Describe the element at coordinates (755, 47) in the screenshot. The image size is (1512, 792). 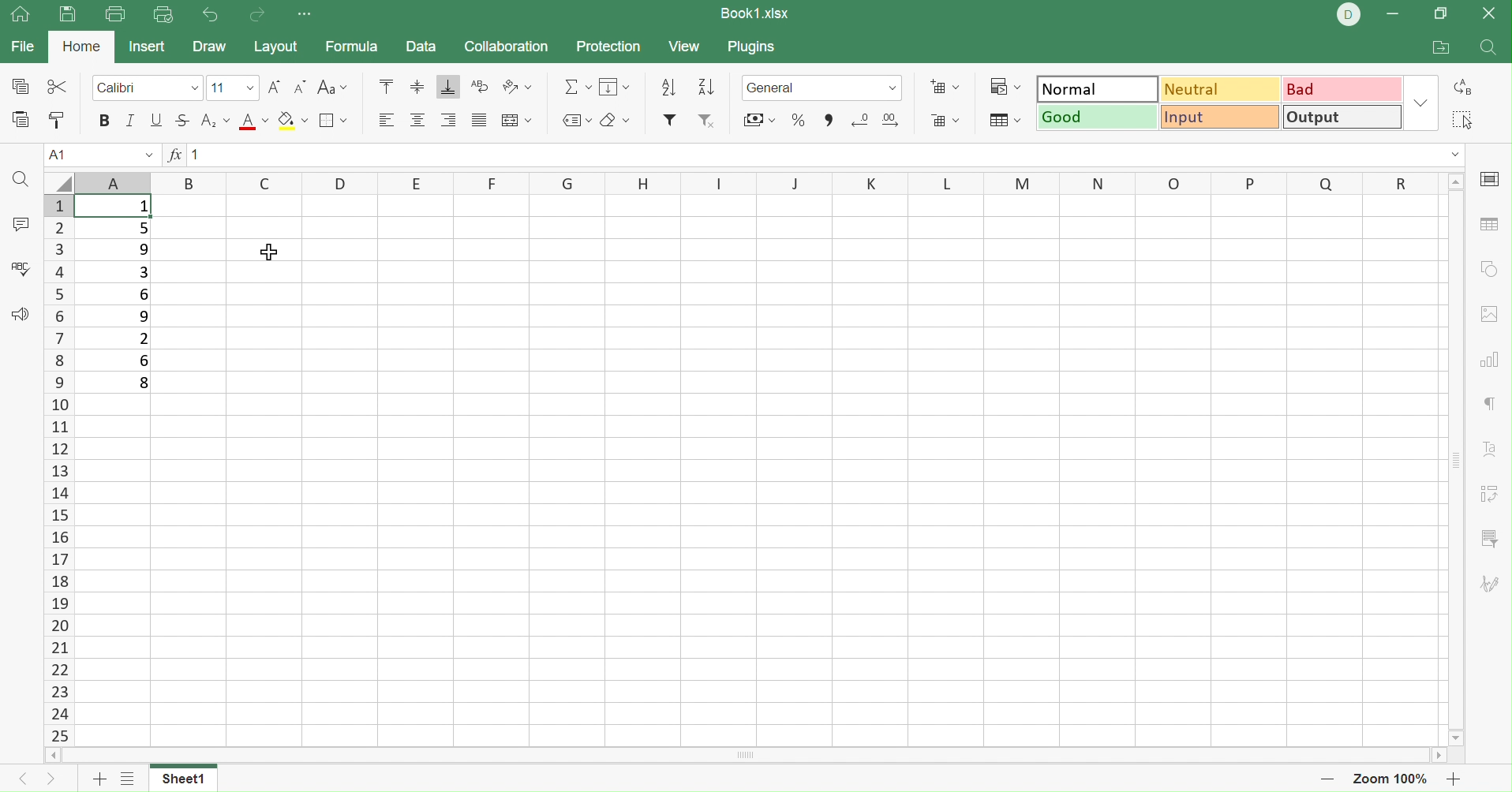
I see `Plugins` at that location.